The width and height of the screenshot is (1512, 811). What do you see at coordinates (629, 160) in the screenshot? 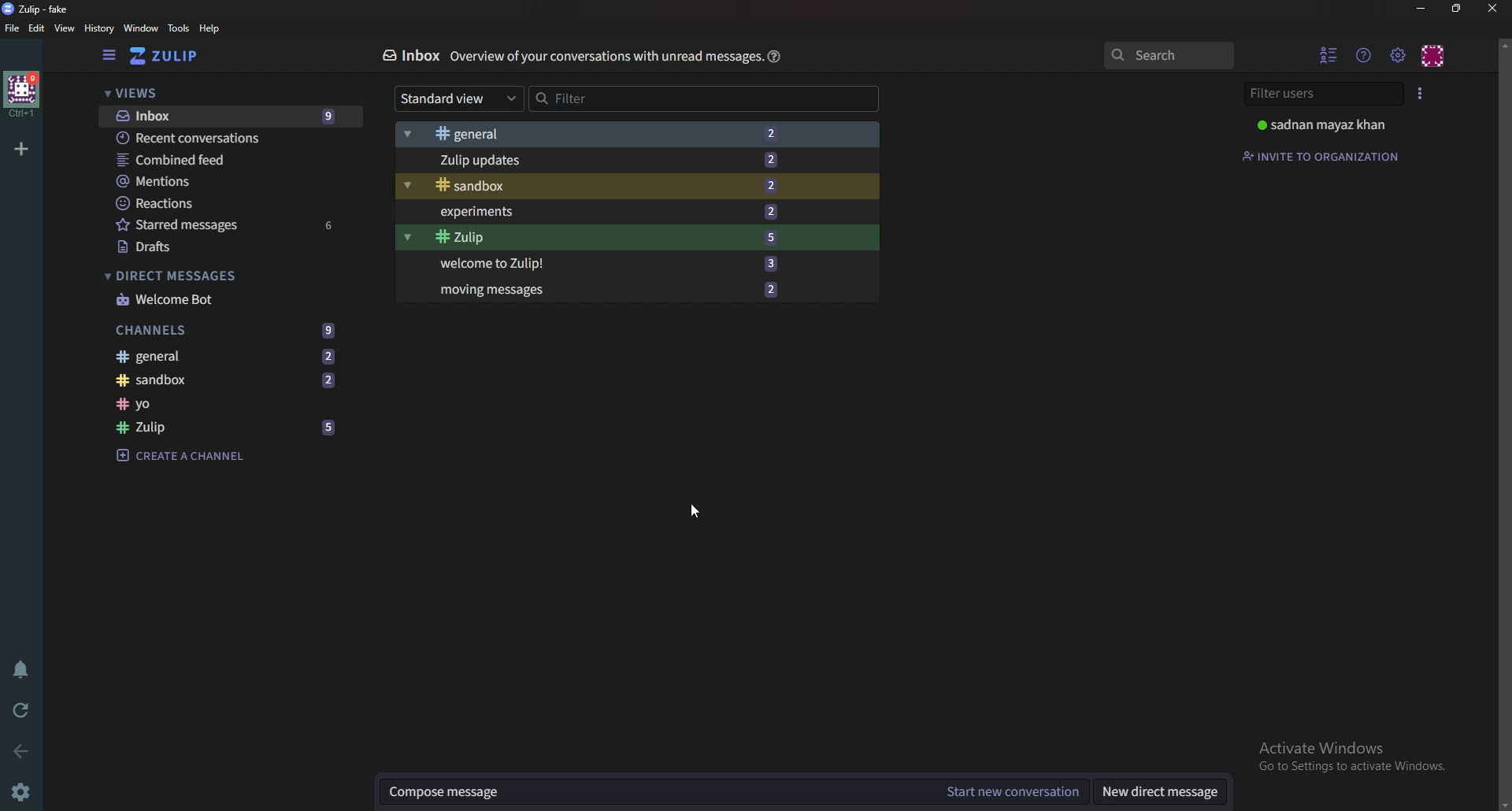
I see `Zulip updates` at bounding box center [629, 160].